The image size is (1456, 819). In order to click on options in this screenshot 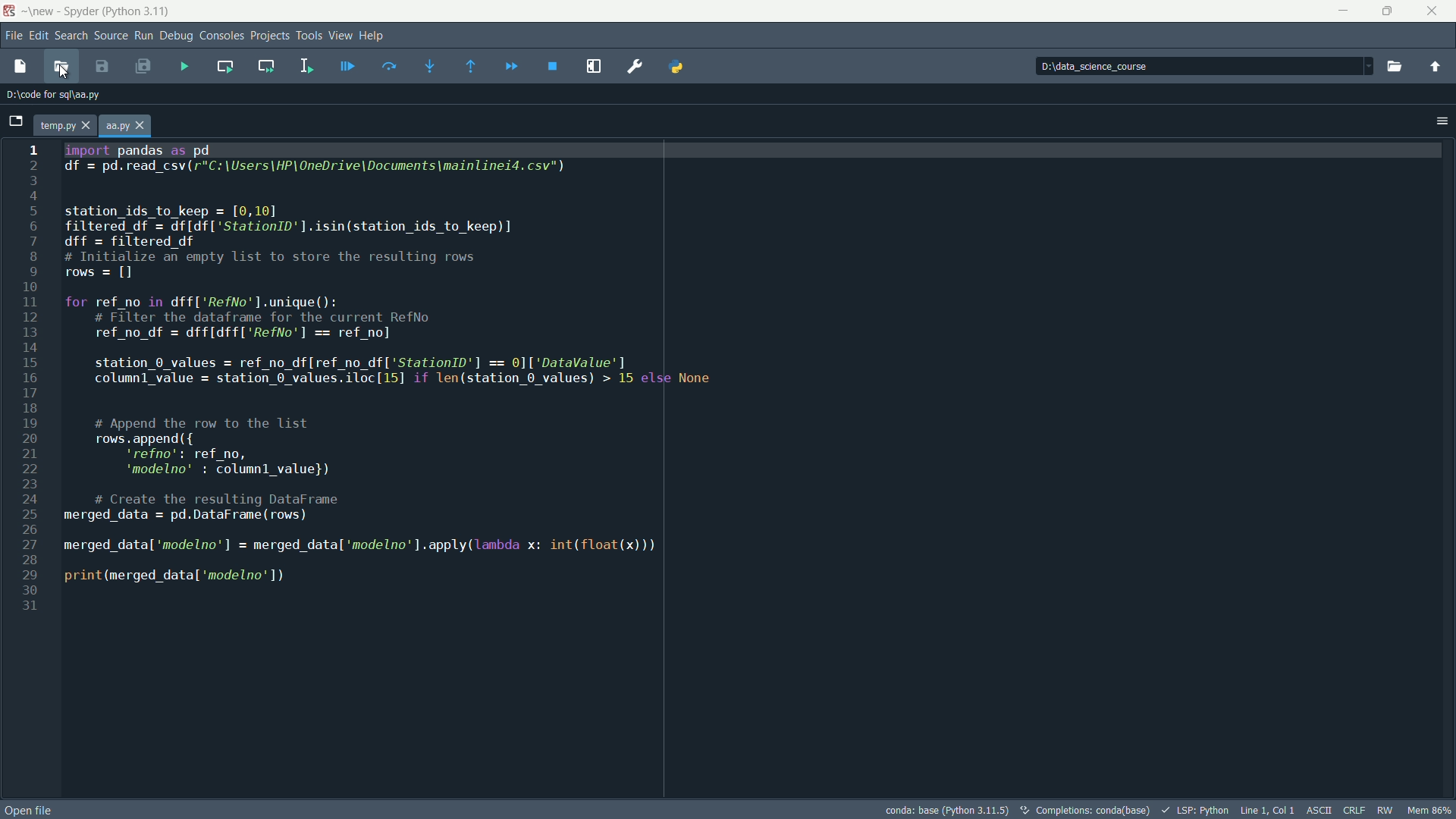, I will do `click(1442, 121)`.